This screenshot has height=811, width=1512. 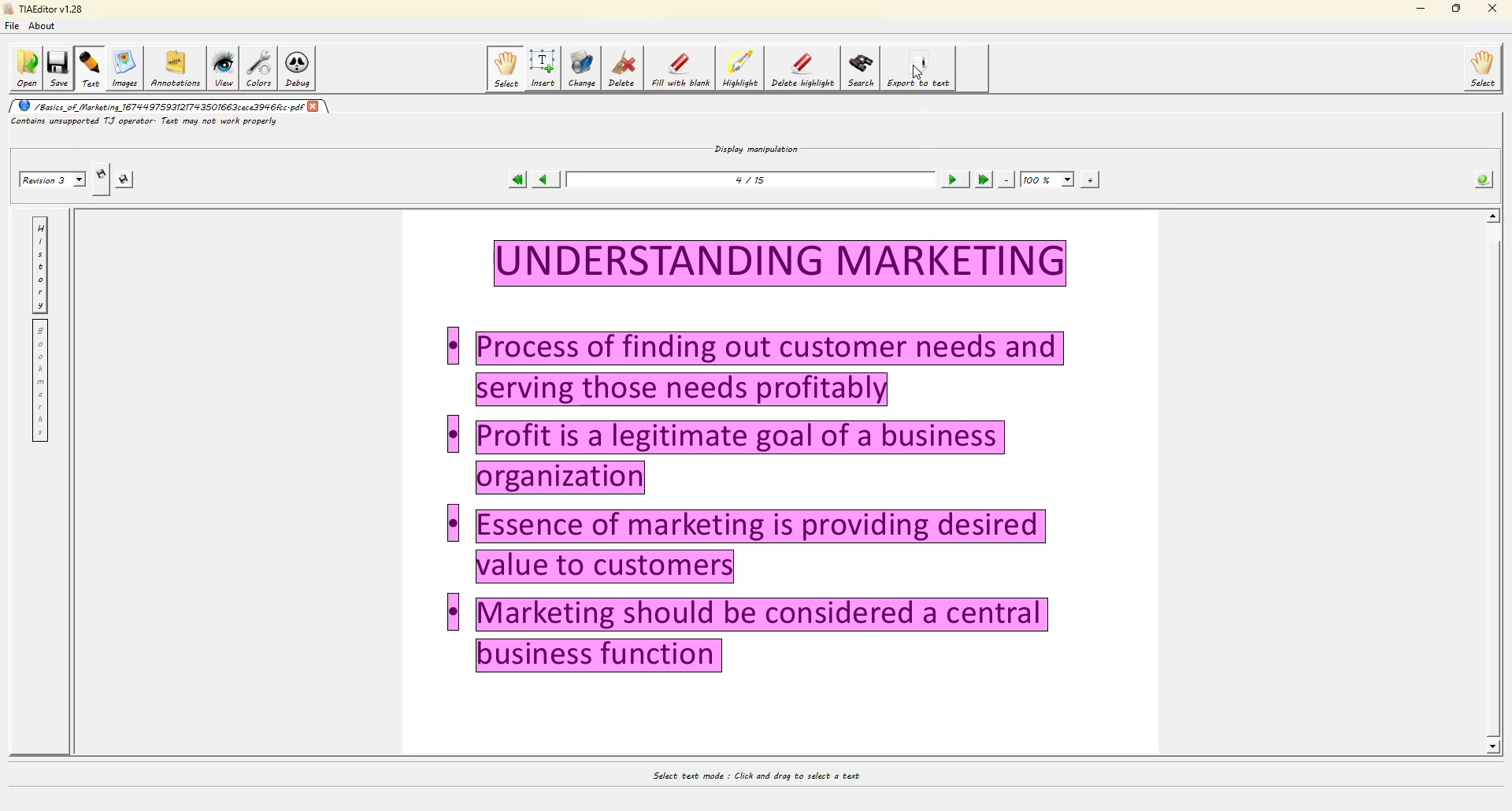 I want to click on images, so click(x=124, y=69).